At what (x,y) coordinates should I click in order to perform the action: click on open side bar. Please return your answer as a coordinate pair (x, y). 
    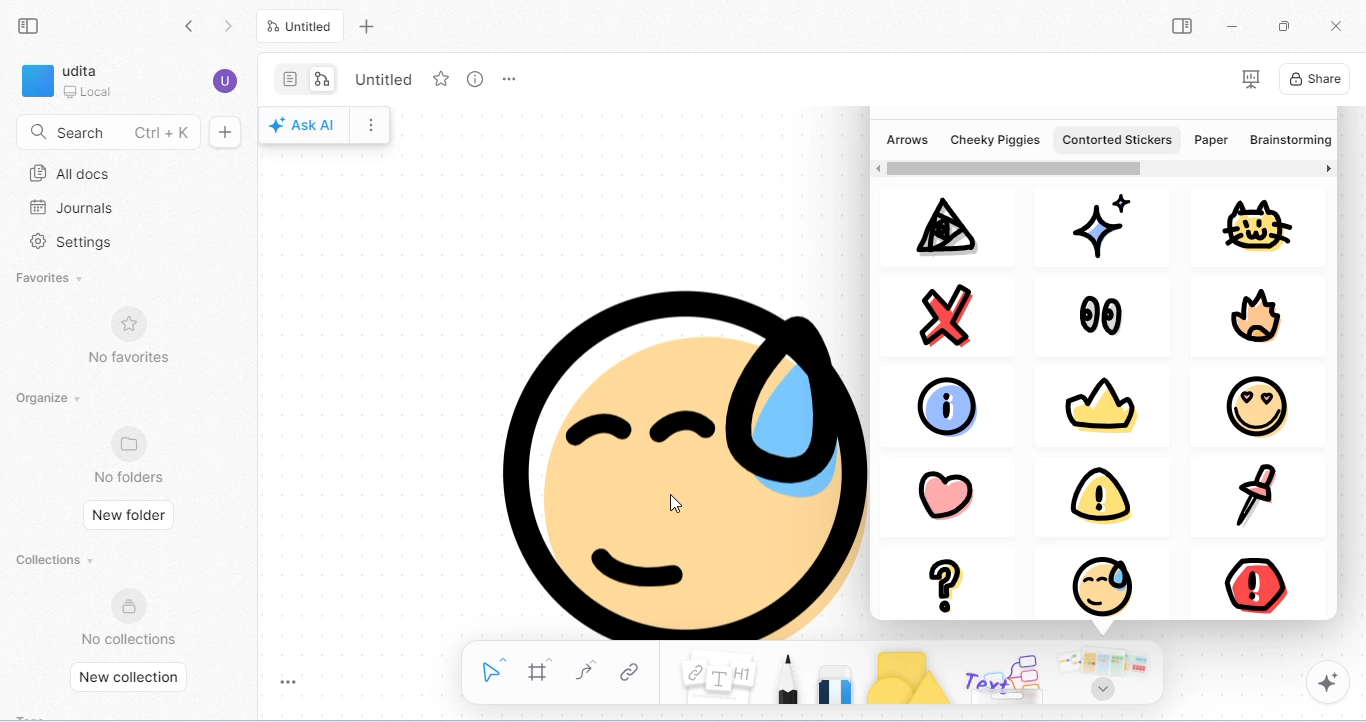
    Looking at the image, I should click on (1183, 26).